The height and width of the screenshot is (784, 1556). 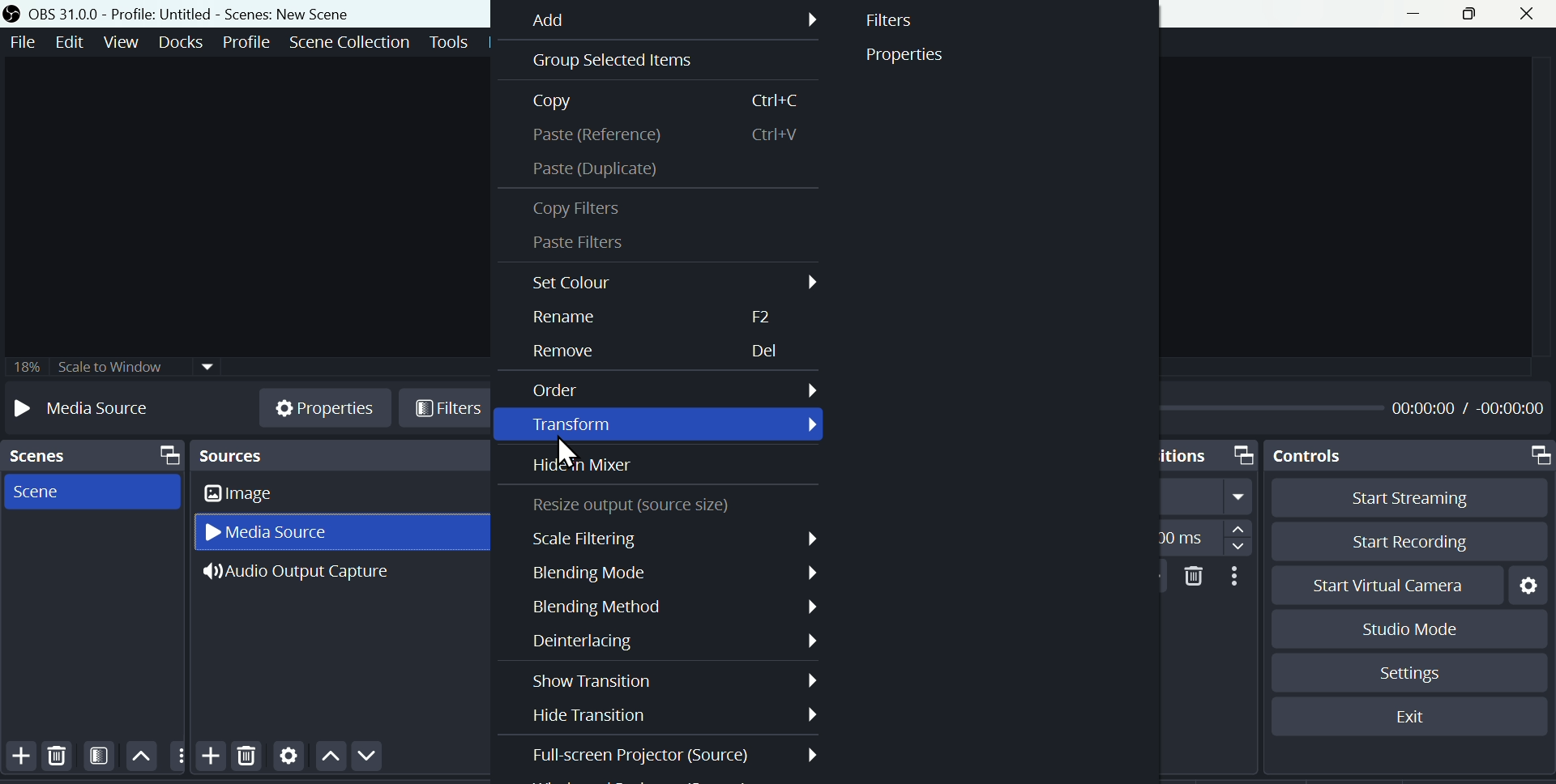 I want to click on Exit, so click(x=1410, y=716).